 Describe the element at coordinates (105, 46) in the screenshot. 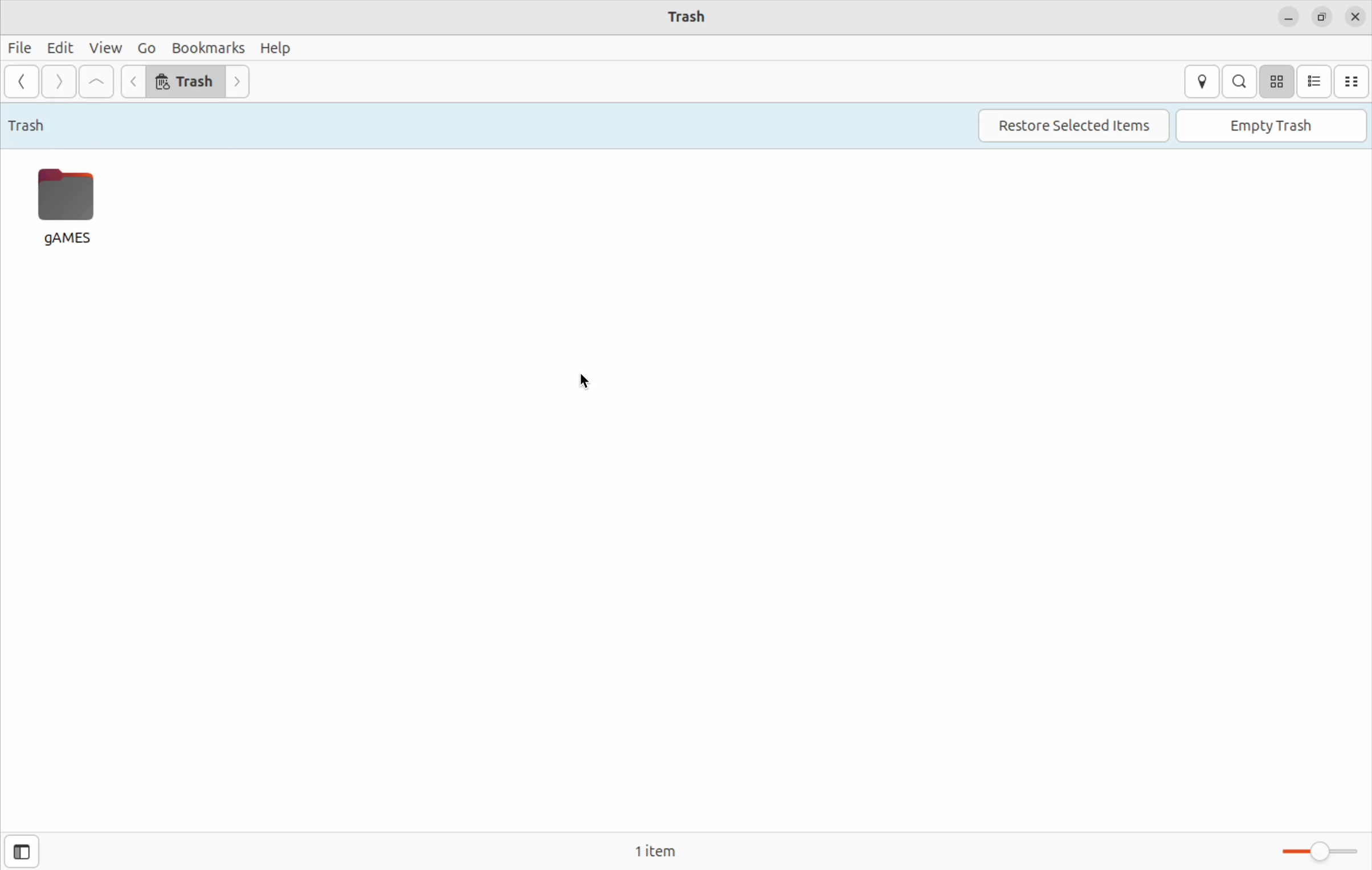

I see `view` at that location.